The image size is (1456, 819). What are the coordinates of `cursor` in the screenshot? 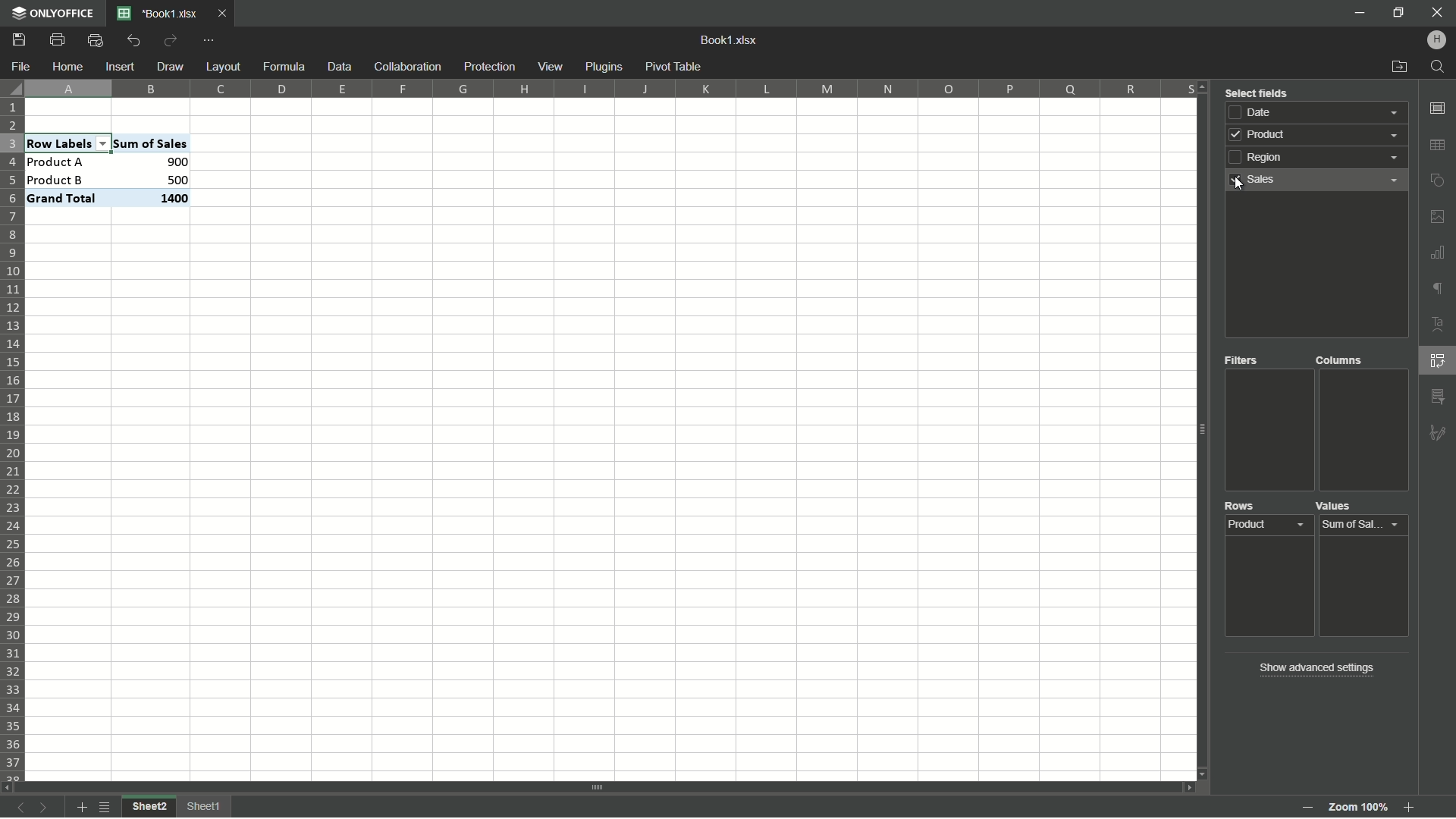 It's located at (1235, 184).